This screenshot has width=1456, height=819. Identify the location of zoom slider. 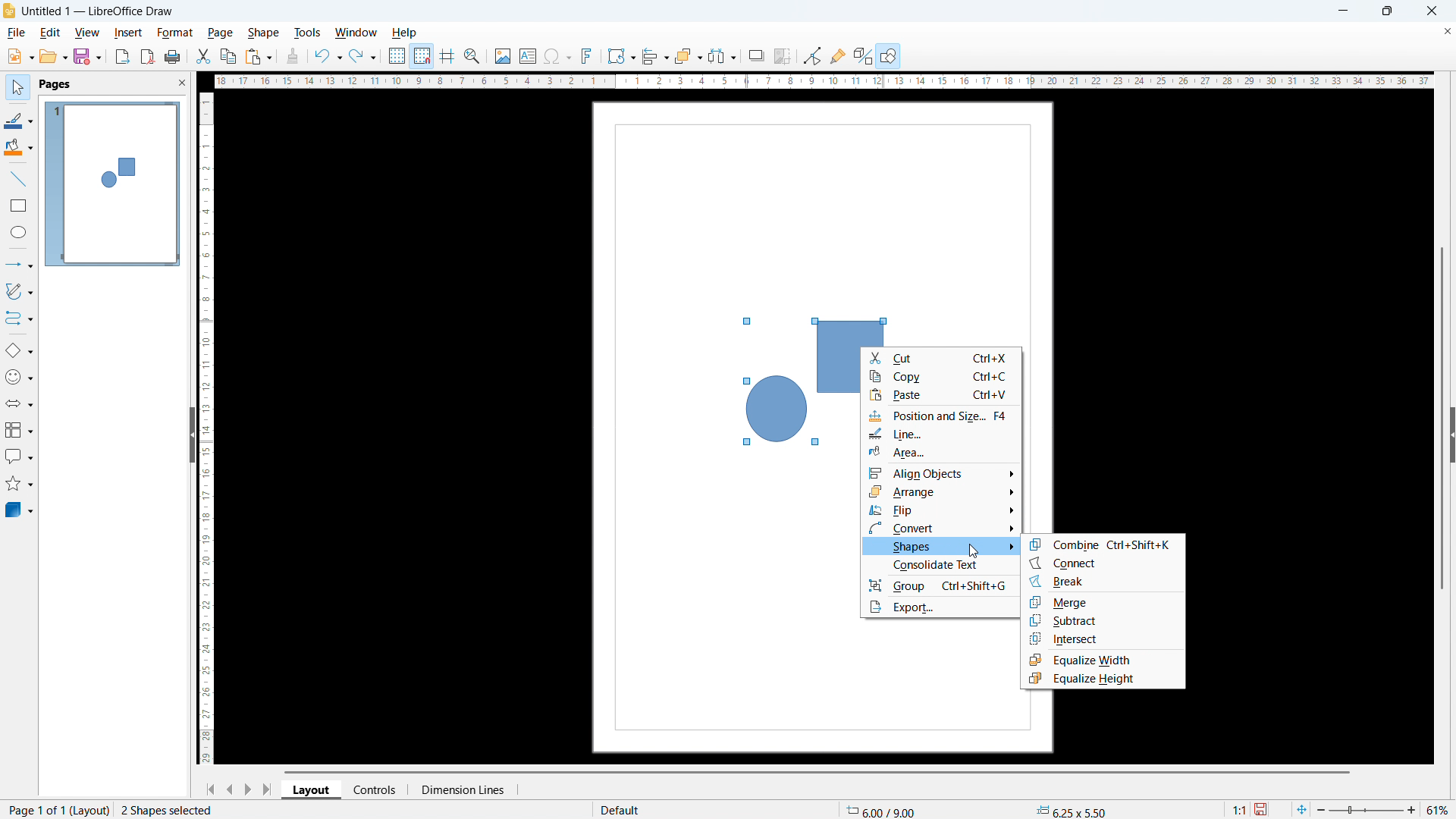
(1369, 810).